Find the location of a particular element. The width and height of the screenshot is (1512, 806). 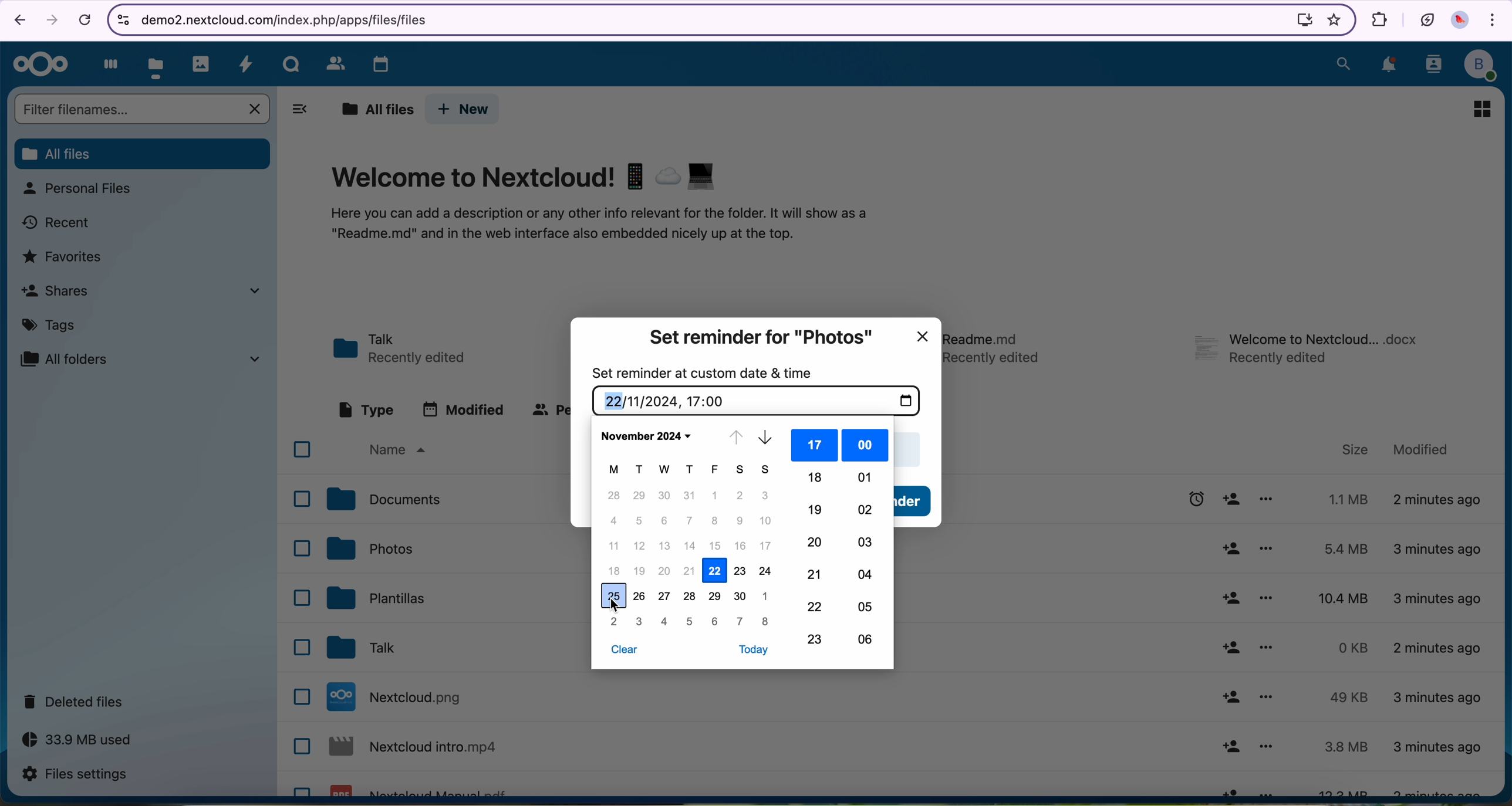

17 is located at coordinates (767, 546).